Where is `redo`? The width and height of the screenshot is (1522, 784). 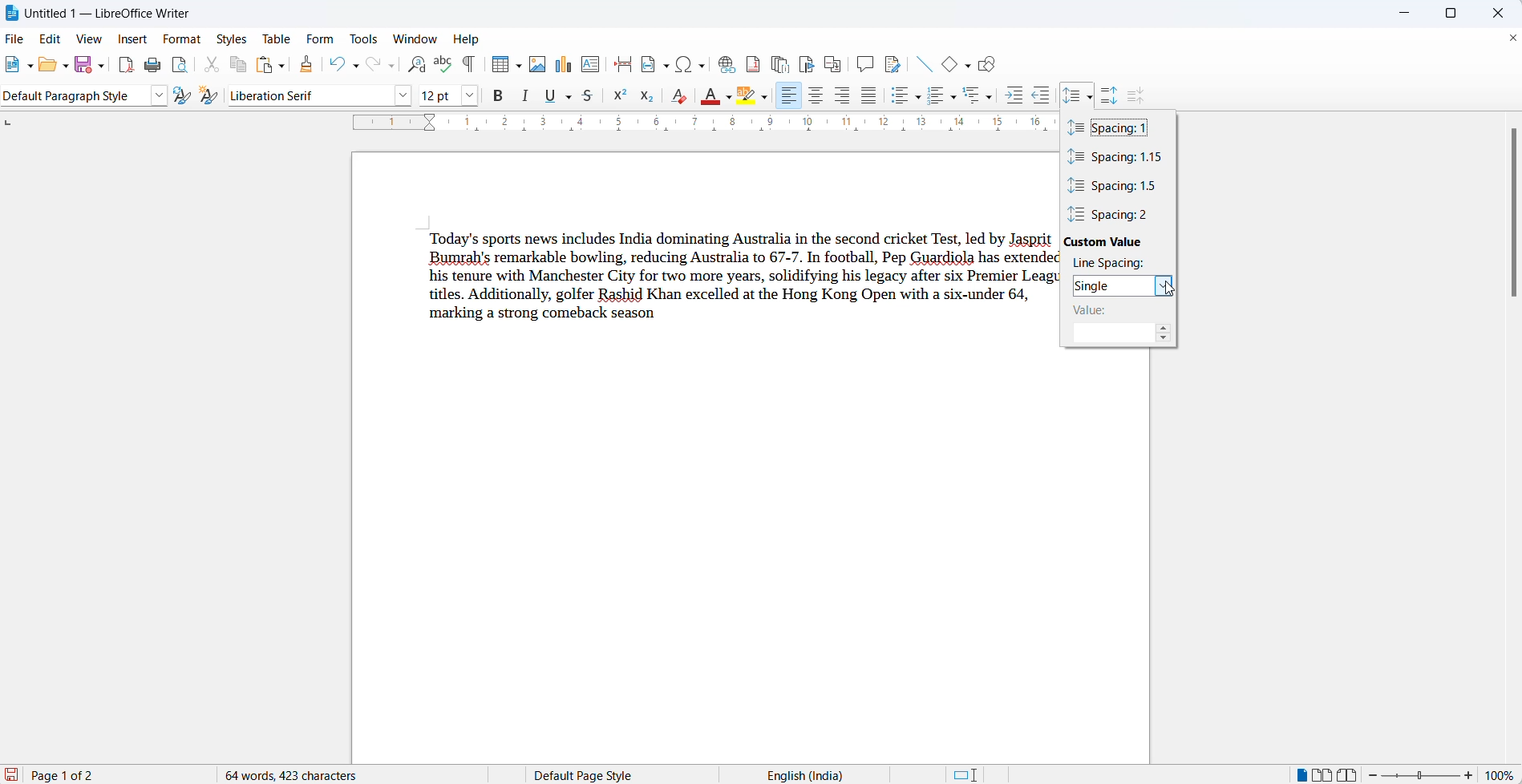
redo is located at coordinates (370, 66).